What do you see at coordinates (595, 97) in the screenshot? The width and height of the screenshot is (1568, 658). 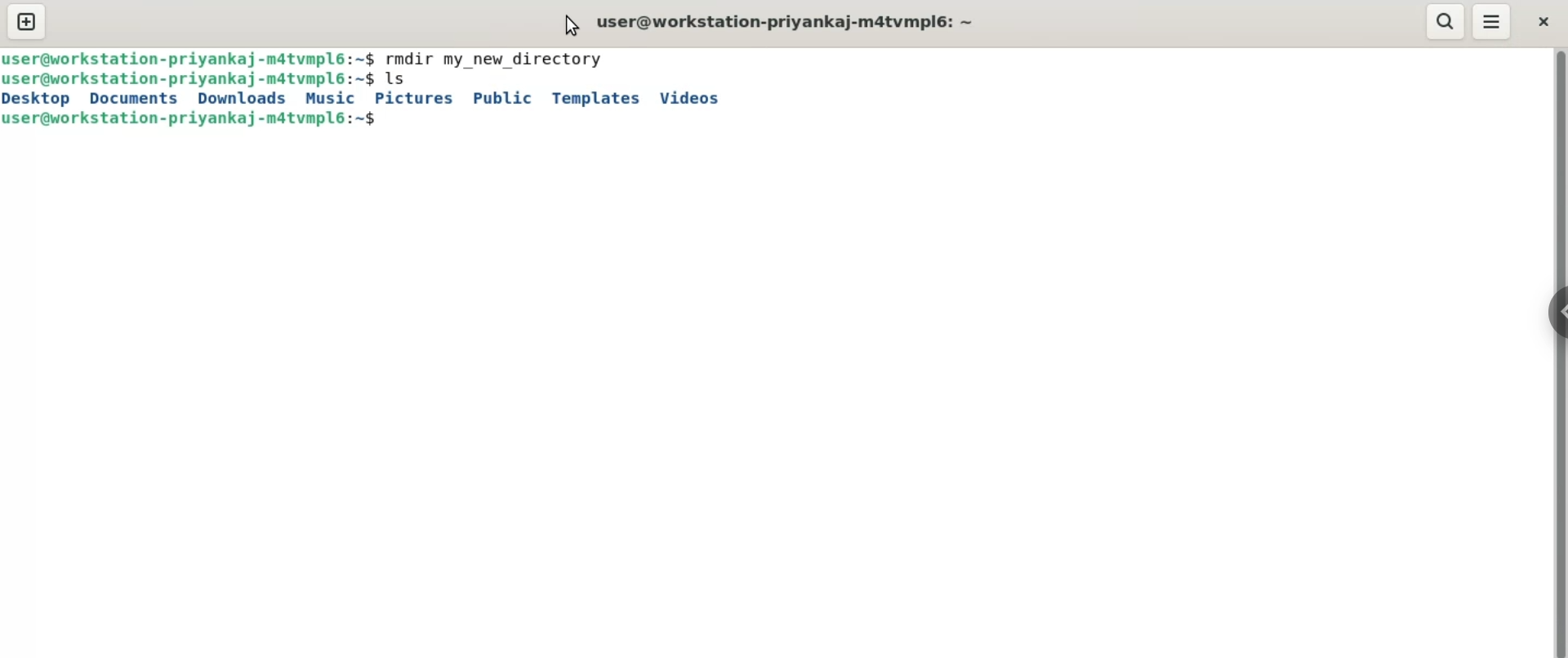 I see `templates` at bounding box center [595, 97].